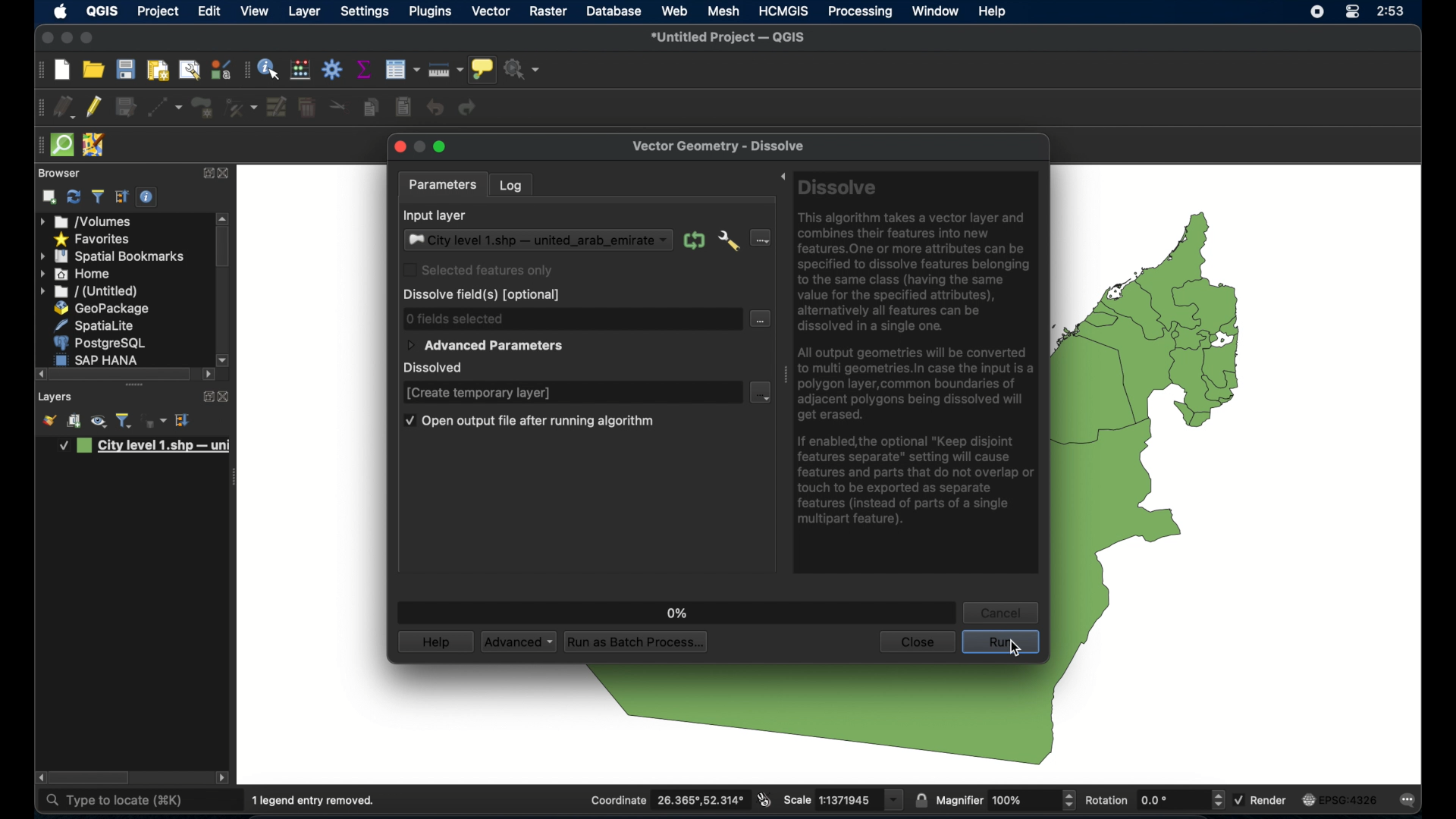 The image size is (1456, 819). Describe the element at coordinates (224, 359) in the screenshot. I see `scroll right arrow` at that location.